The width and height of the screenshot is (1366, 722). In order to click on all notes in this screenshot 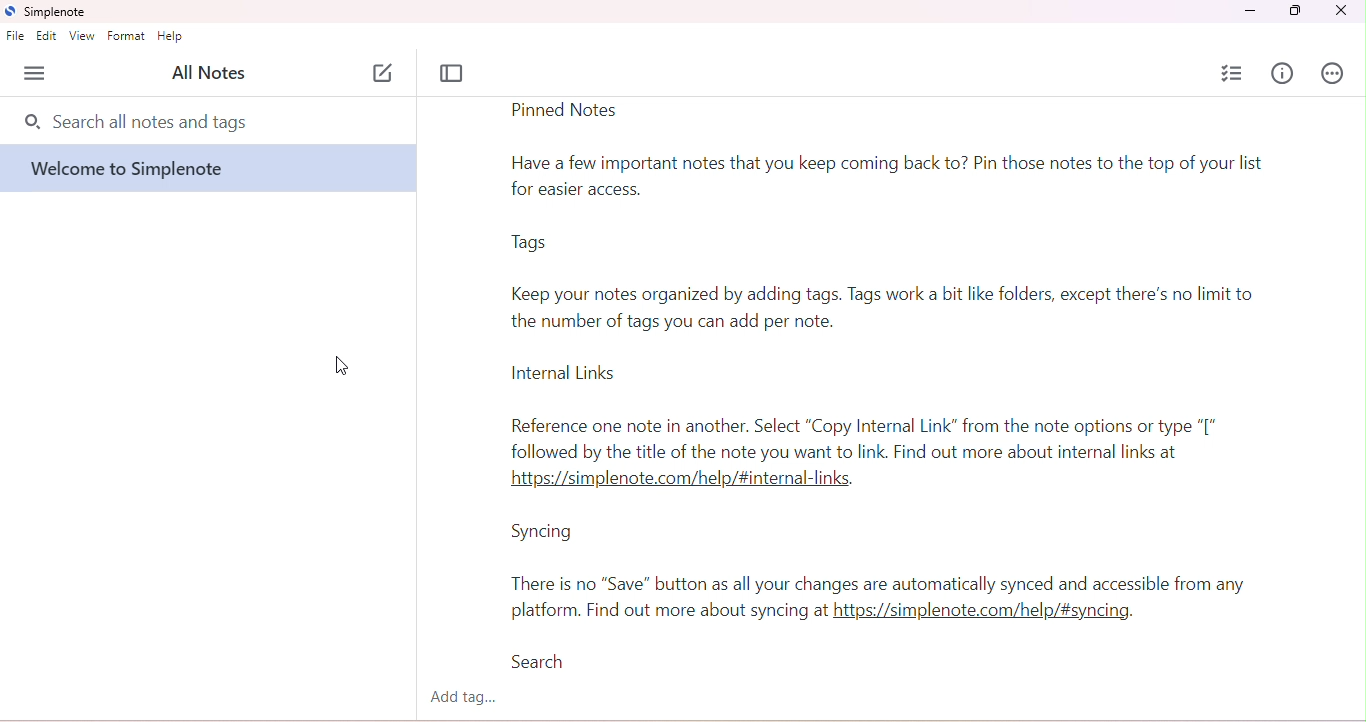, I will do `click(208, 72)`.